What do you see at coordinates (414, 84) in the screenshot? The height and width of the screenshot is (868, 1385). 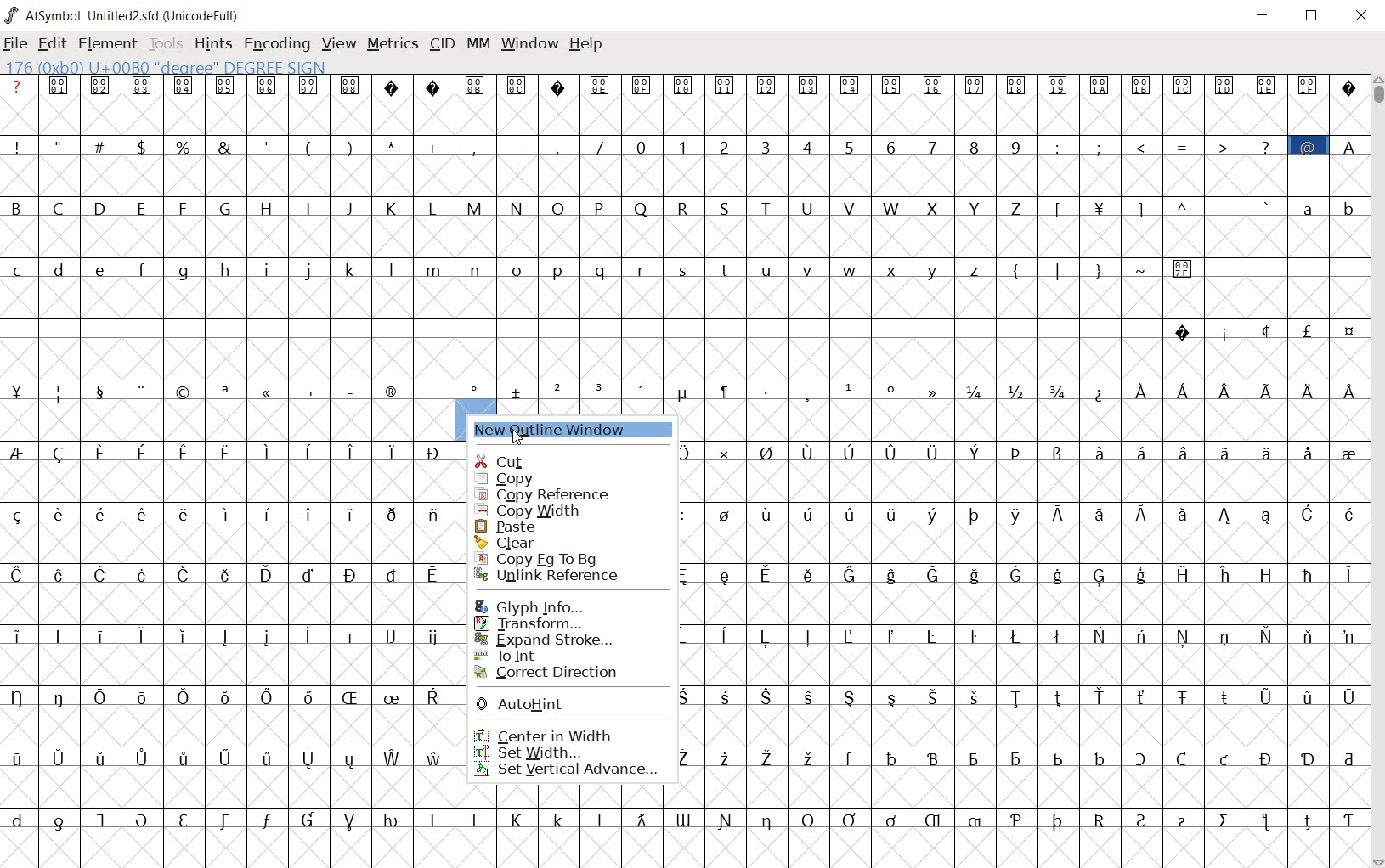 I see `unsupported charters` at bounding box center [414, 84].